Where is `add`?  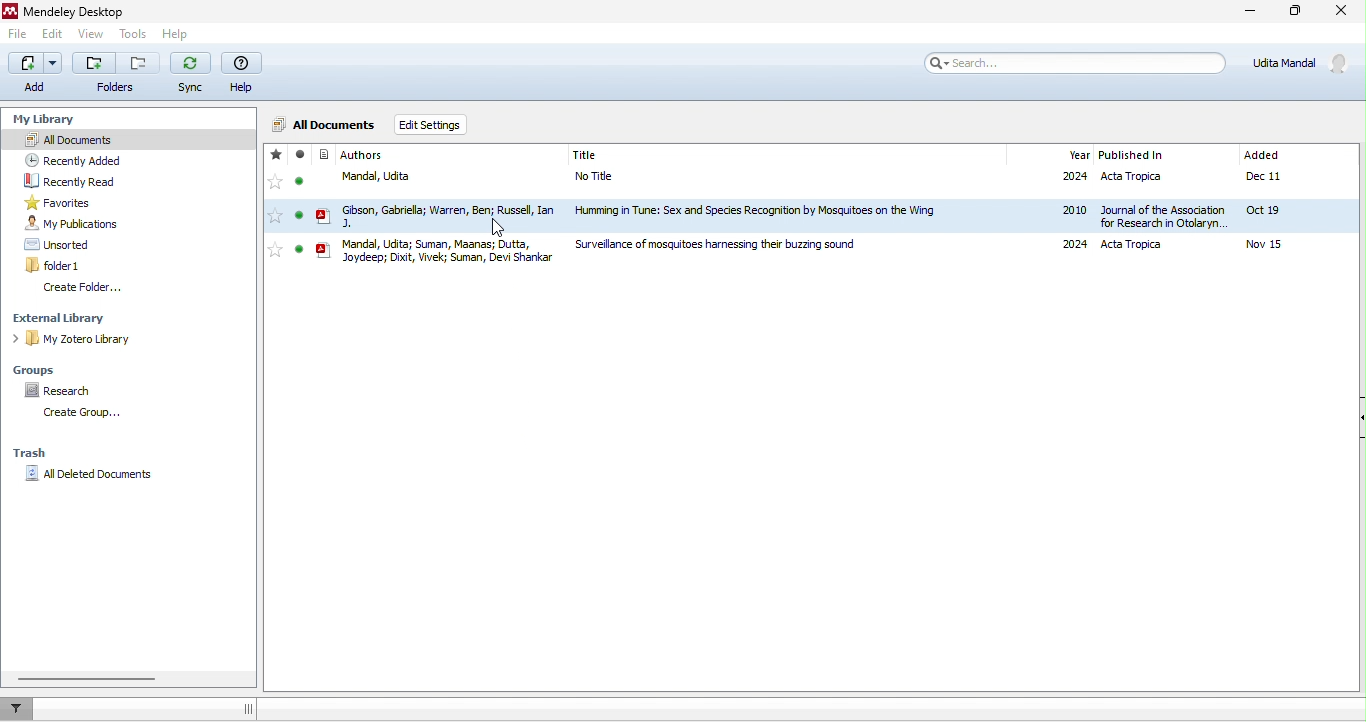 add is located at coordinates (36, 86).